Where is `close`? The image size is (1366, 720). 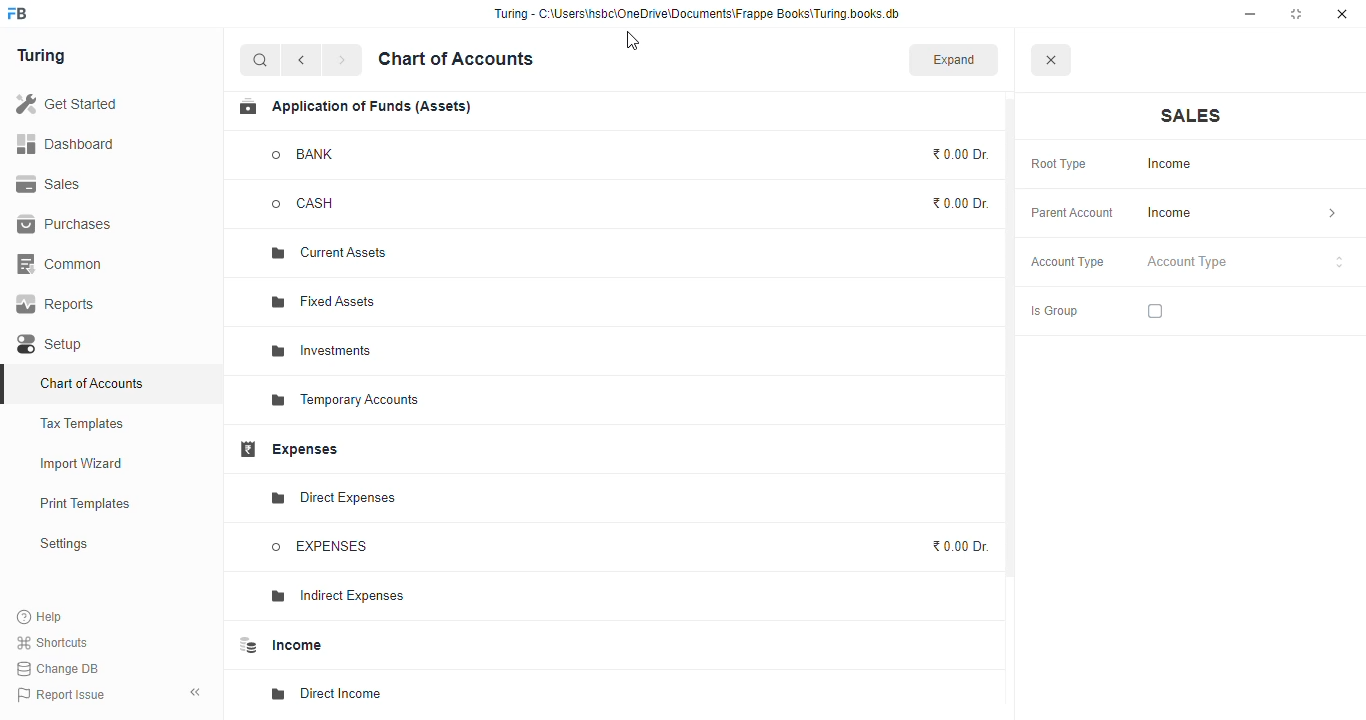
close is located at coordinates (1342, 14).